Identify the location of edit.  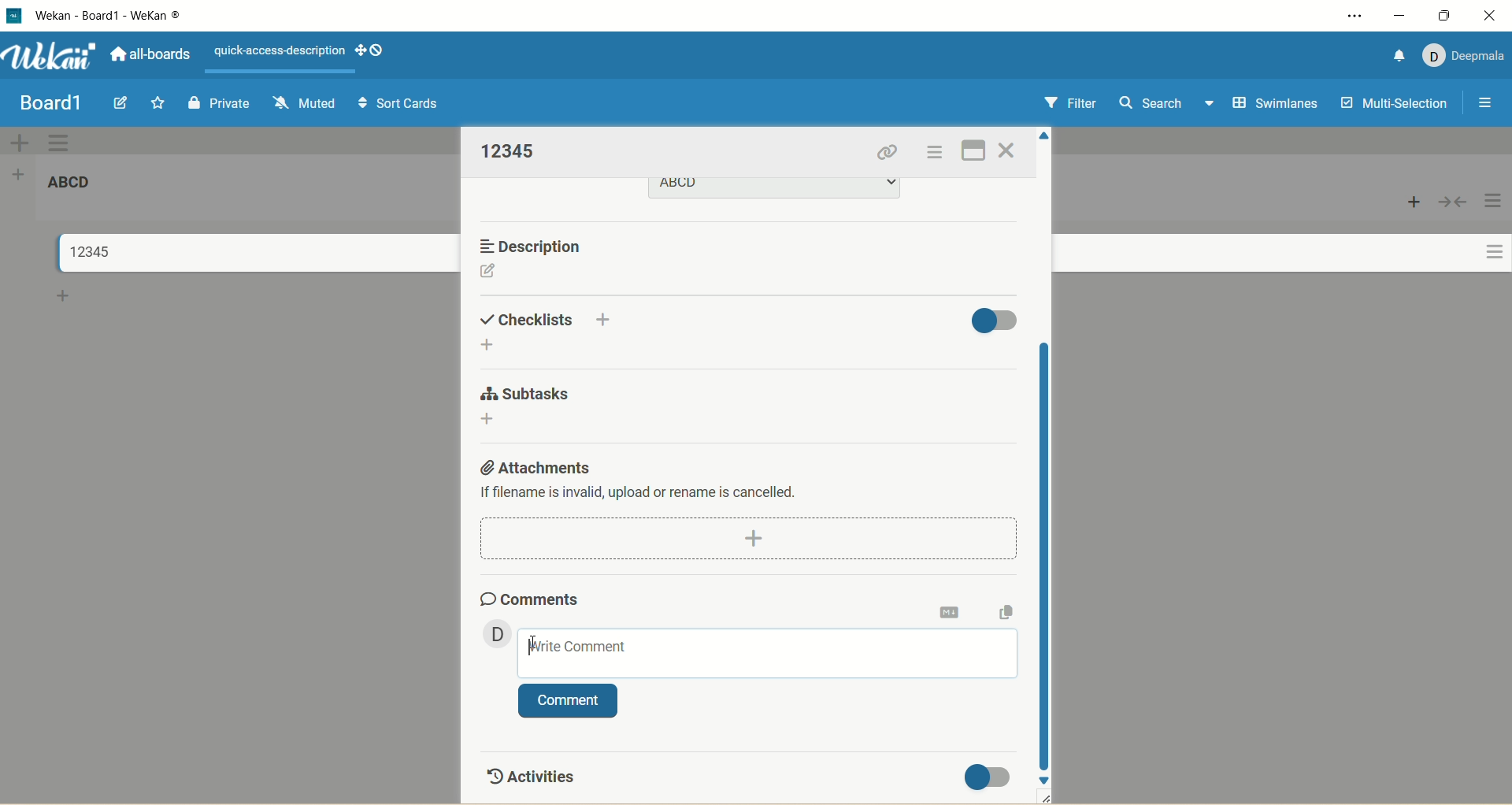
(487, 273).